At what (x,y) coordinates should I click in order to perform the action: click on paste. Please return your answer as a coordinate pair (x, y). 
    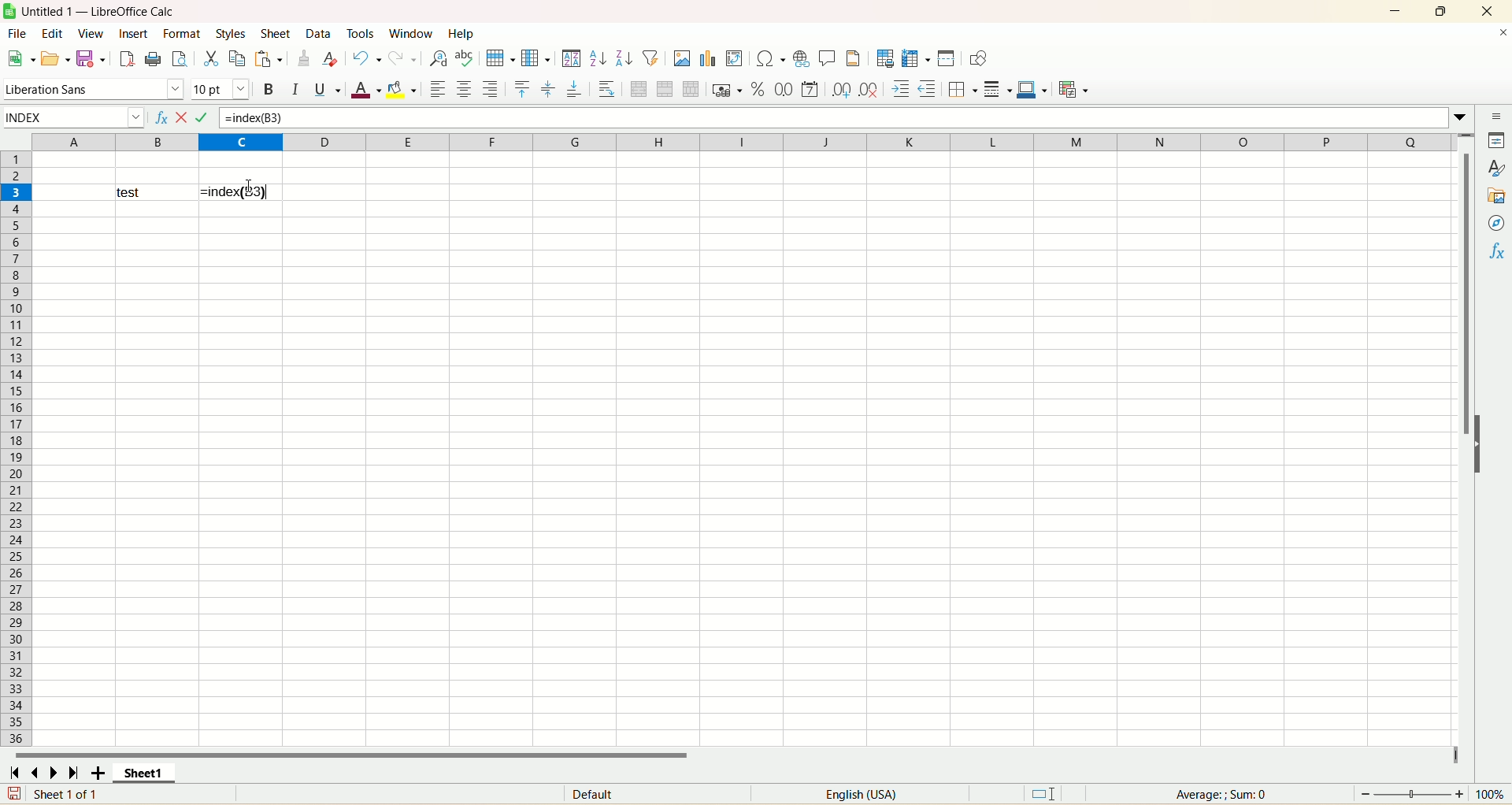
    Looking at the image, I should click on (269, 58).